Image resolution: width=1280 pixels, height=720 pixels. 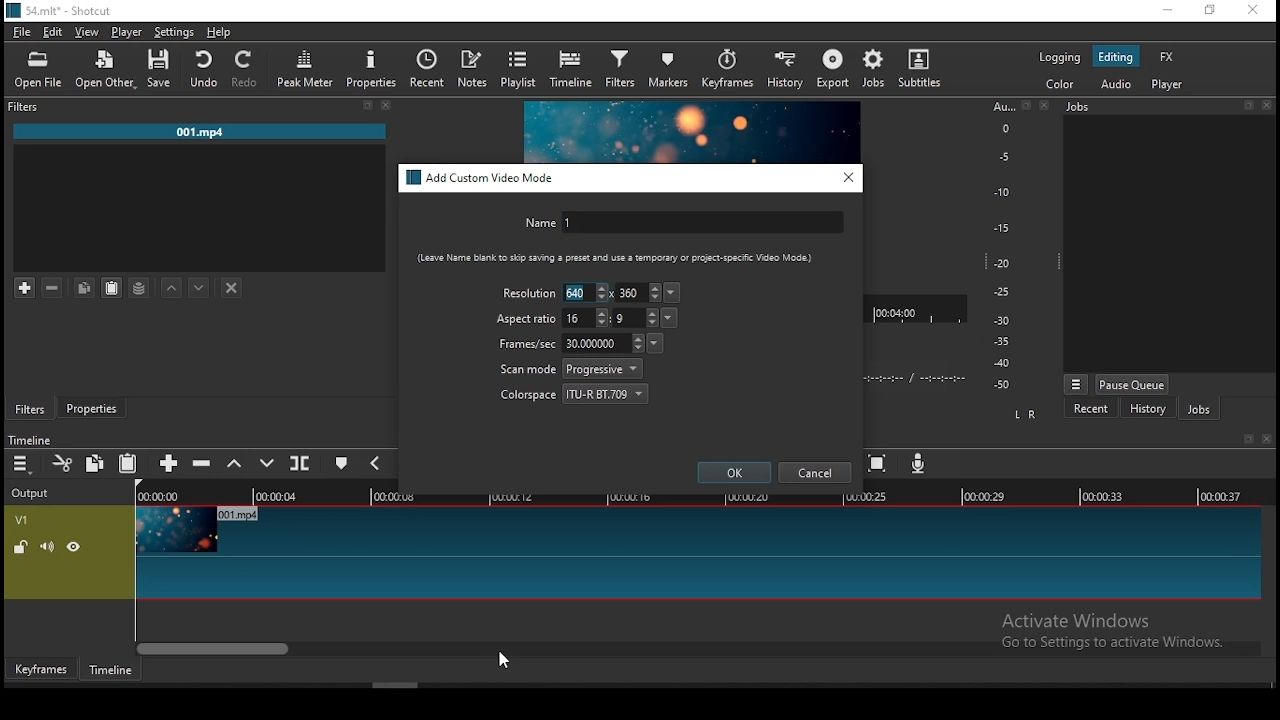 I want to click on close, so click(x=1047, y=105).